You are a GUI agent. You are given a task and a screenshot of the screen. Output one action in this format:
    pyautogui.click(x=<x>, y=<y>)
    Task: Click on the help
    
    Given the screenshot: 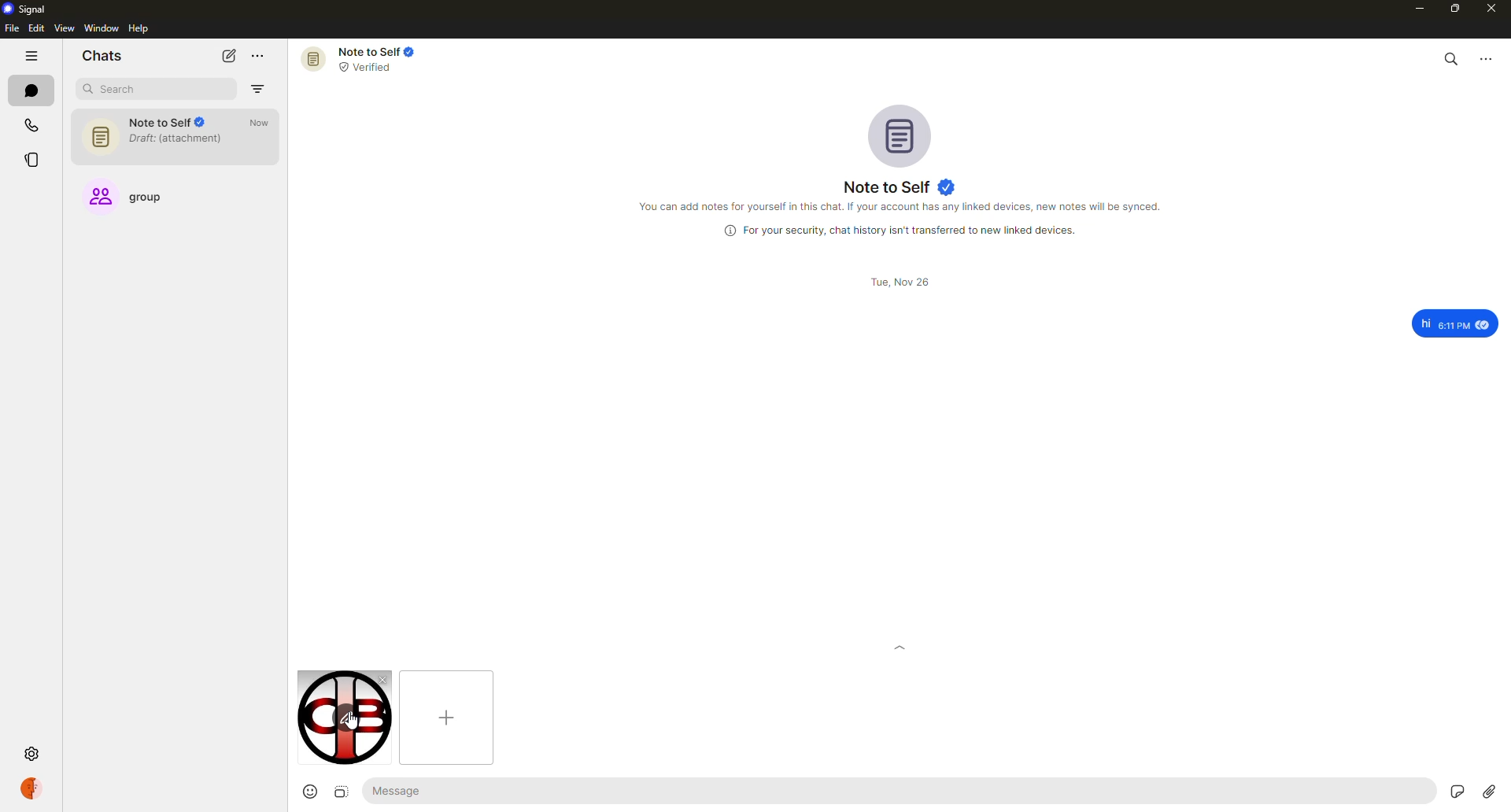 What is the action you would take?
    pyautogui.click(x=138, y=28)
    